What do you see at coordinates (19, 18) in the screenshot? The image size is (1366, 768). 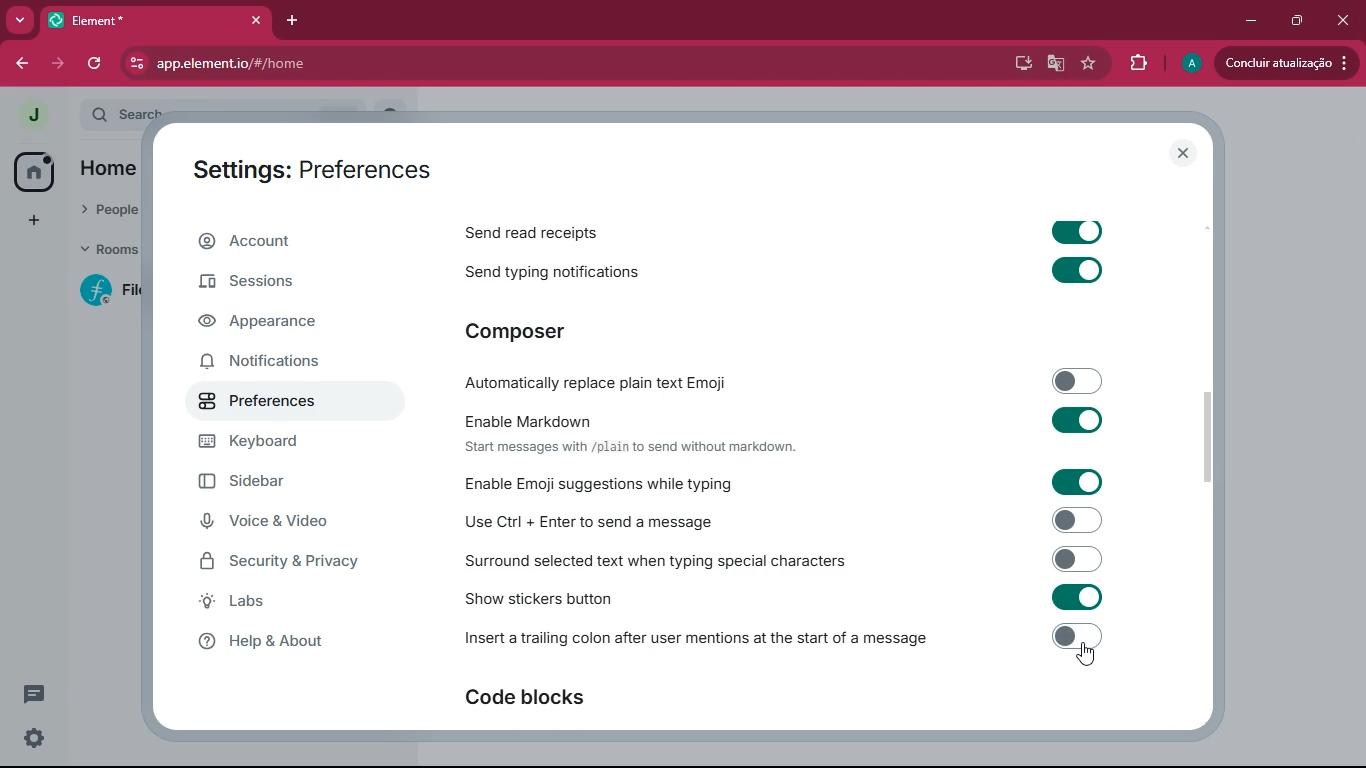 I see `more` at bounding box center [19, 18].